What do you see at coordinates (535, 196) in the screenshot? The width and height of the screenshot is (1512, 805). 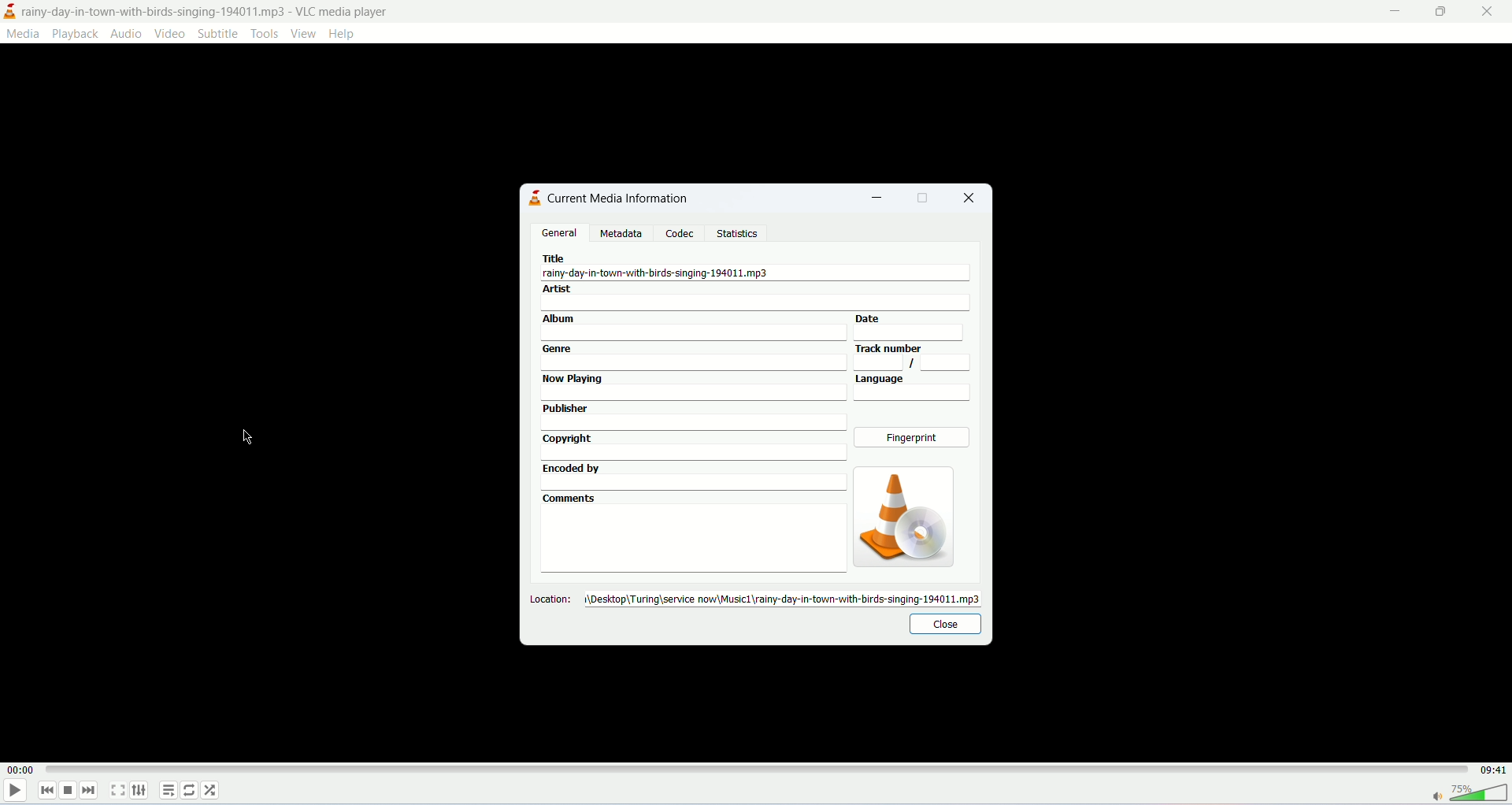 I see `logo` at bounding box center [535, 196].